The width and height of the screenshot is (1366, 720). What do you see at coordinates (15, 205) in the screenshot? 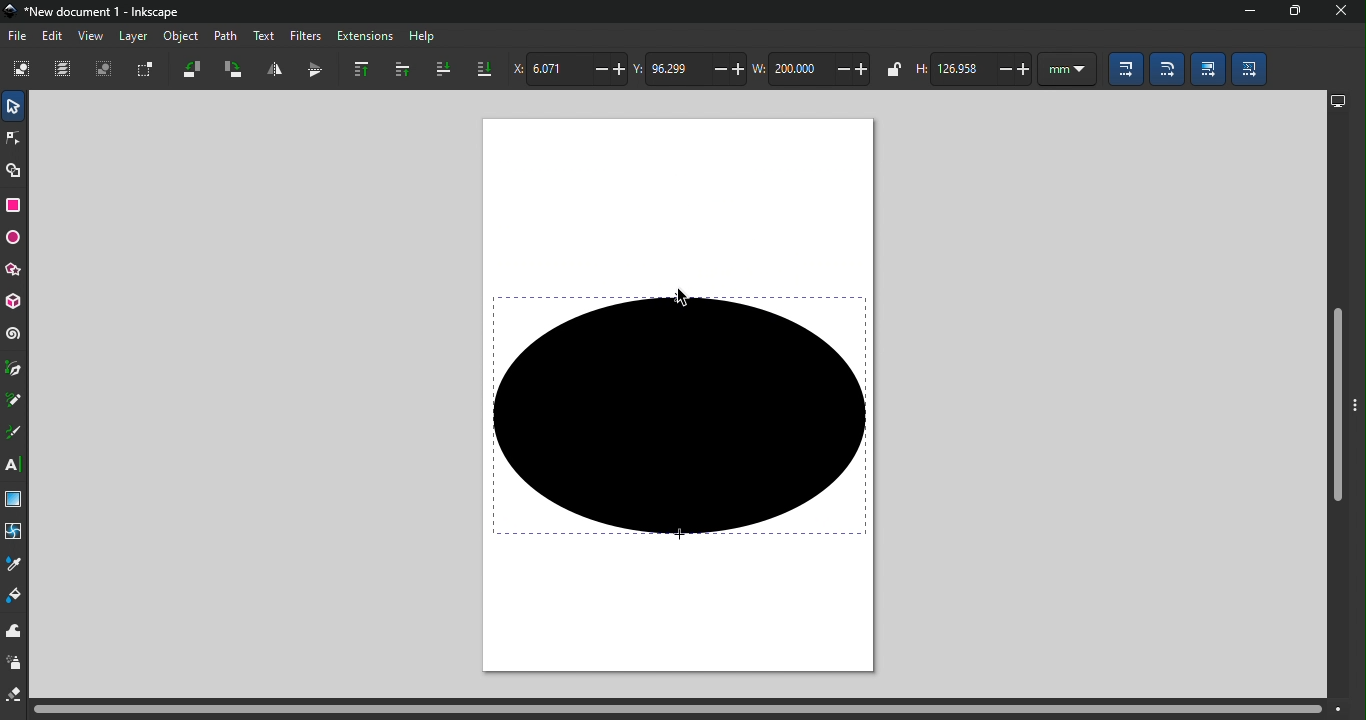
I see `Rectangle tool` at bounding box center [15, 205].